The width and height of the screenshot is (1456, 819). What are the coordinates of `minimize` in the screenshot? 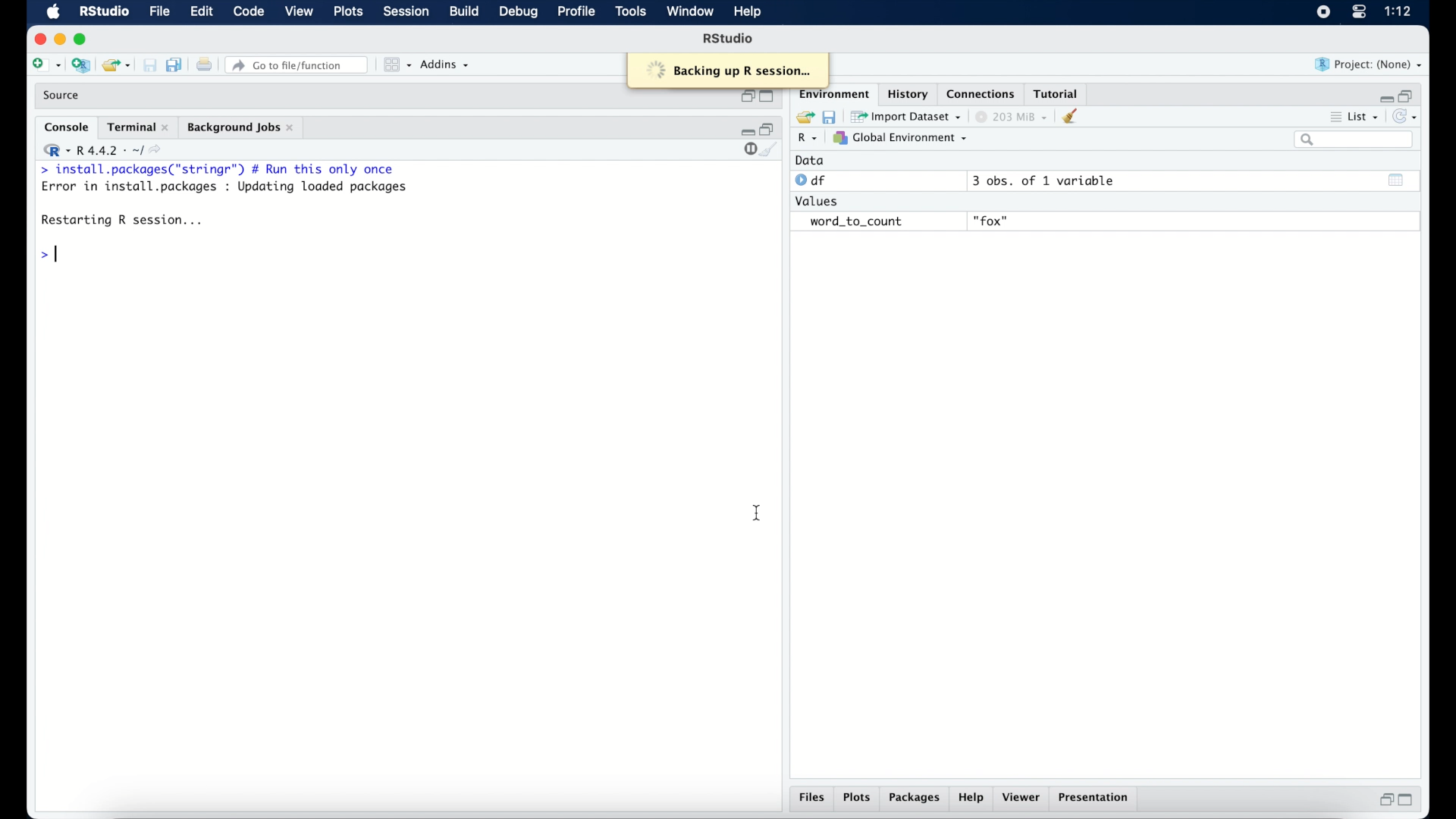 It's located at (1384, 98).